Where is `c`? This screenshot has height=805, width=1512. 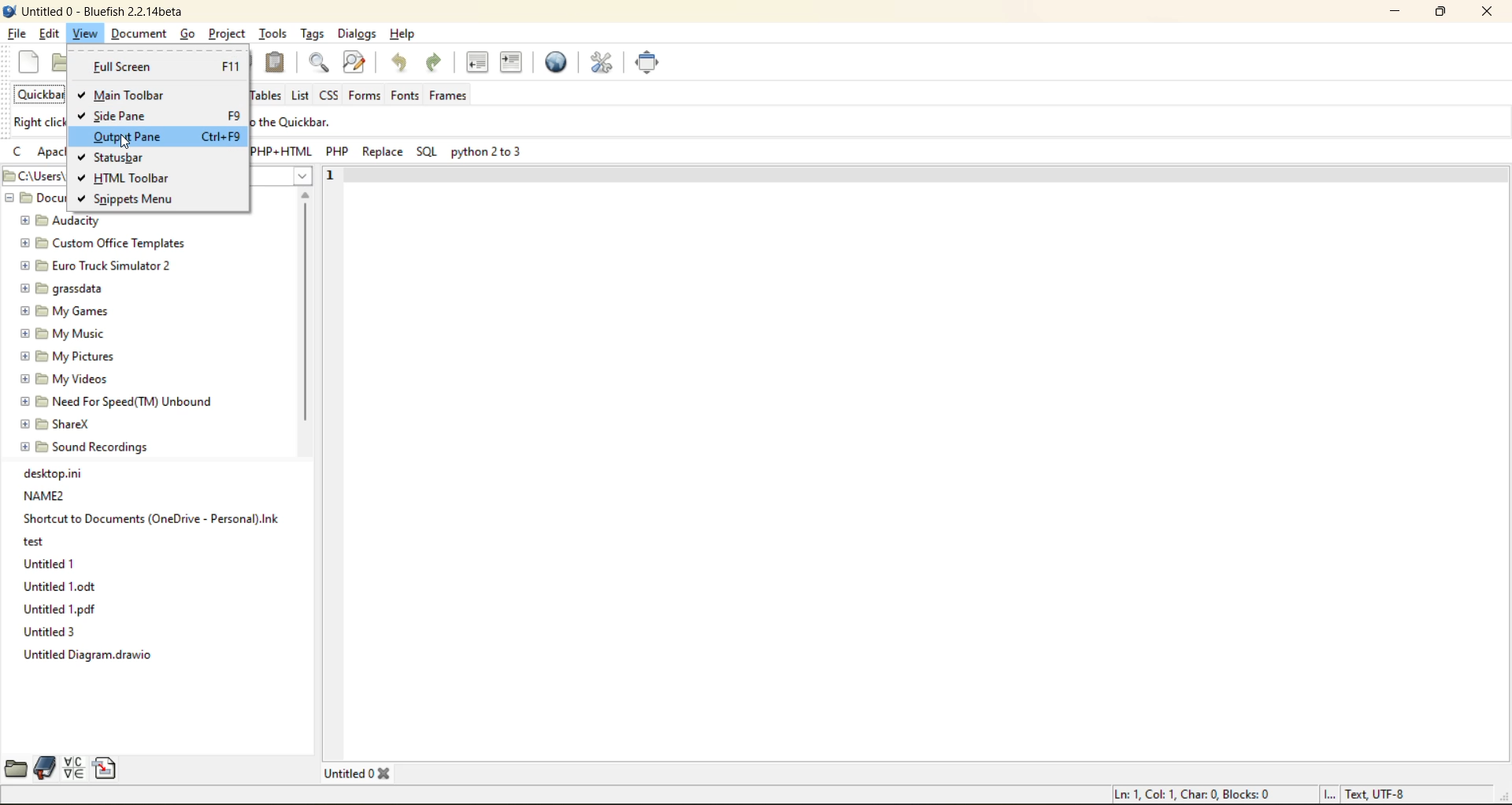
c is located at coordinates (18, 154).